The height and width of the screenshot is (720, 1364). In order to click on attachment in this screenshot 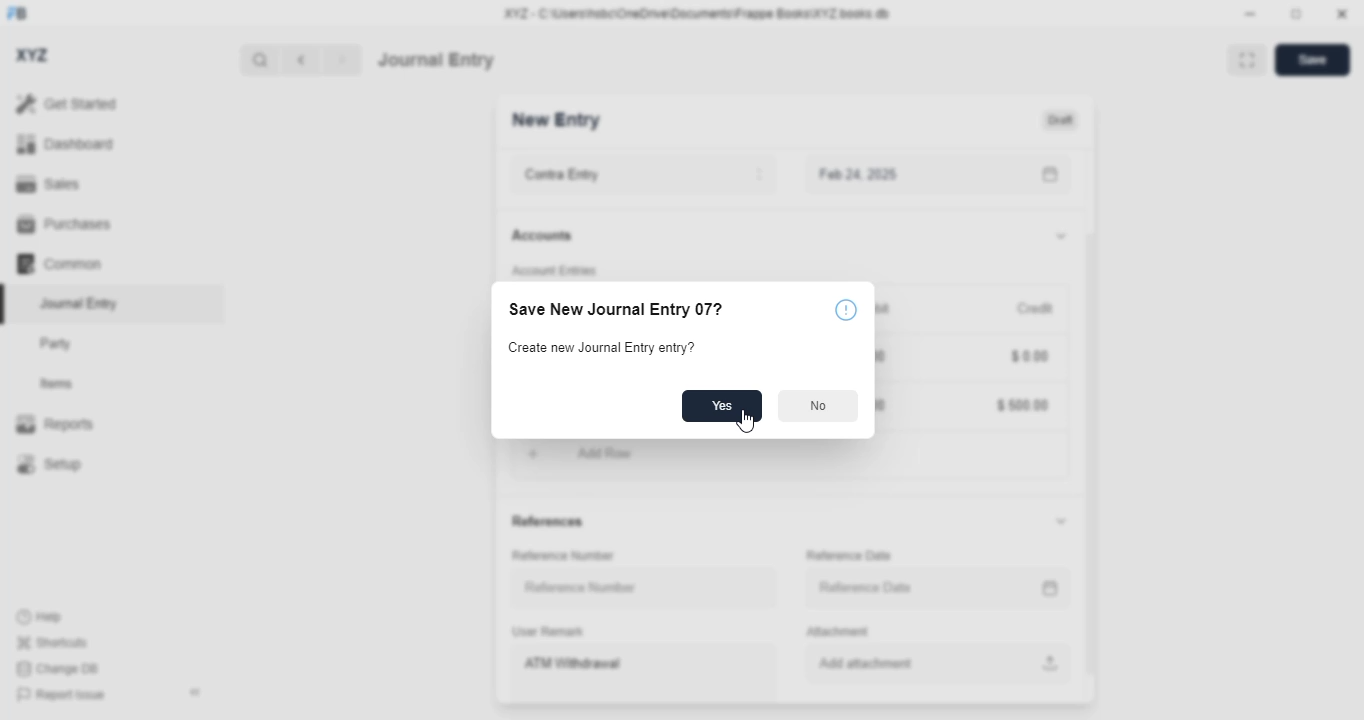, I will do `click(838, 633)`.